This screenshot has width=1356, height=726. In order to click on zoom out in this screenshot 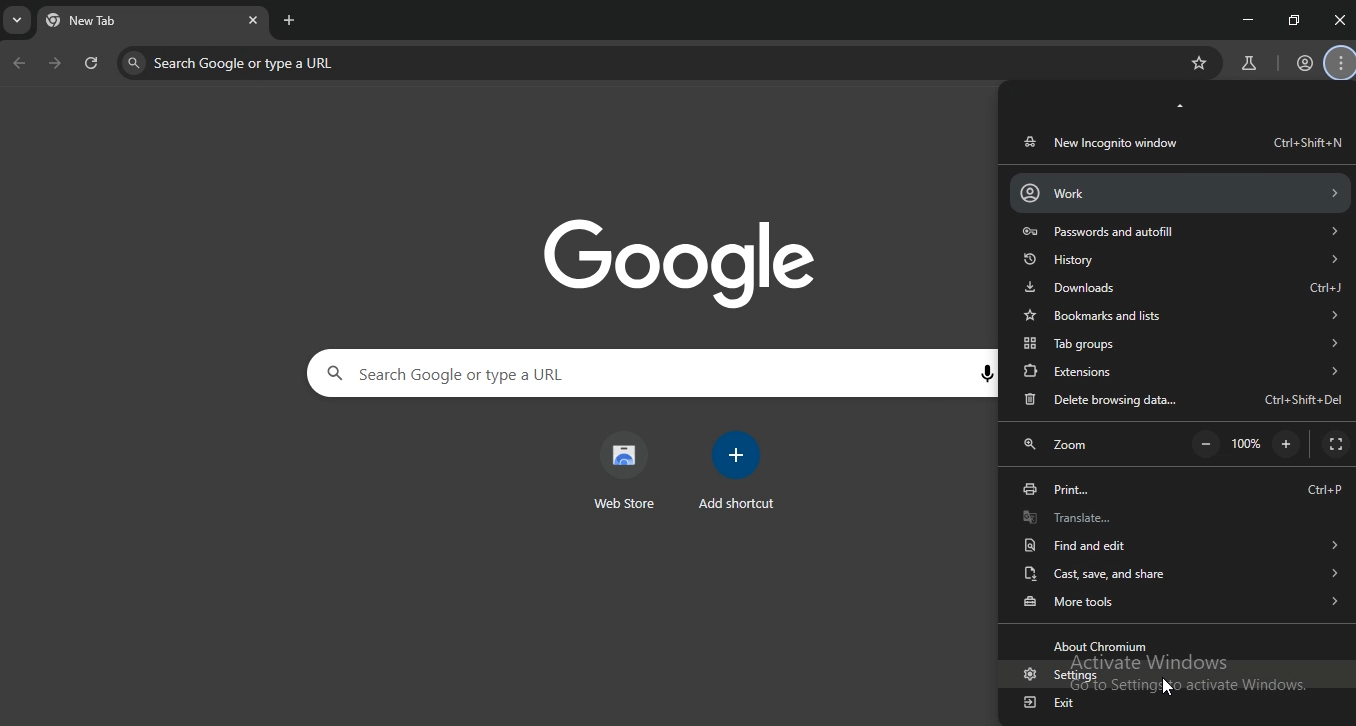, I will do `click(1286, 443)`.